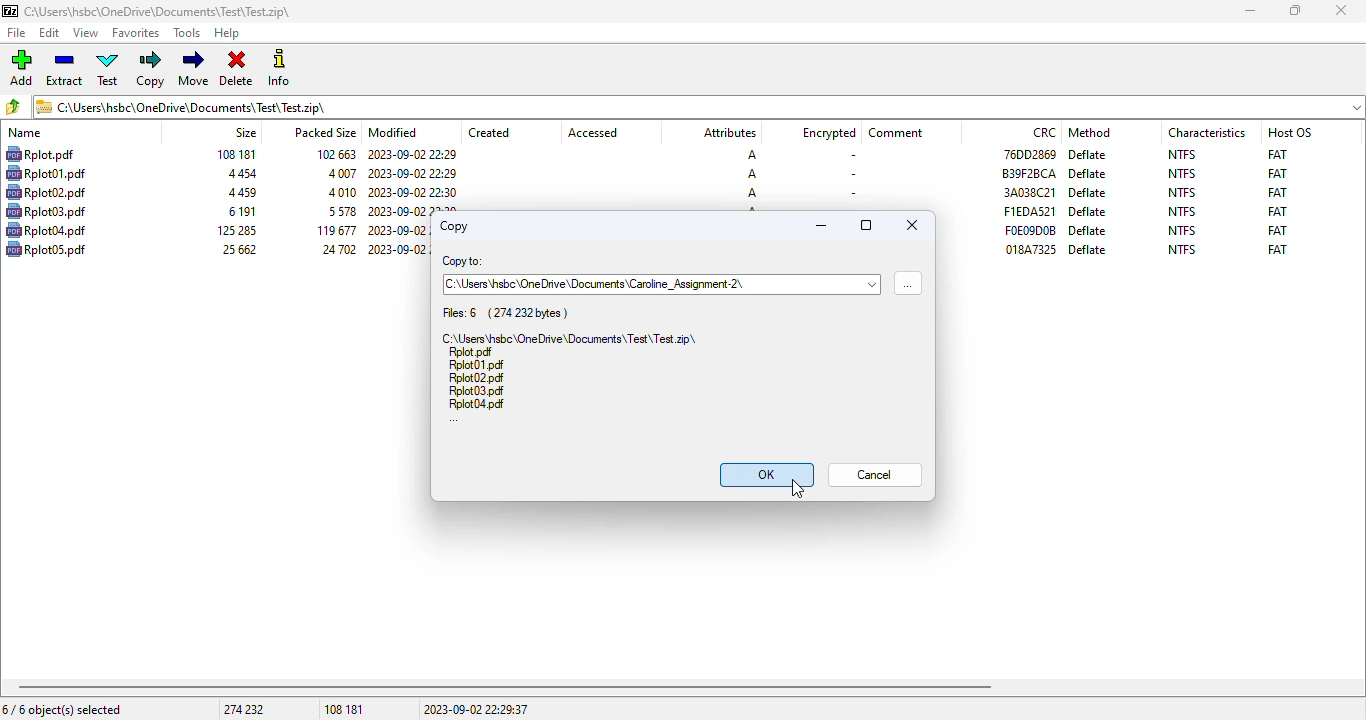 This screenshot has height=720, width=1366. I want to click on CRC, so click(1031, 249).